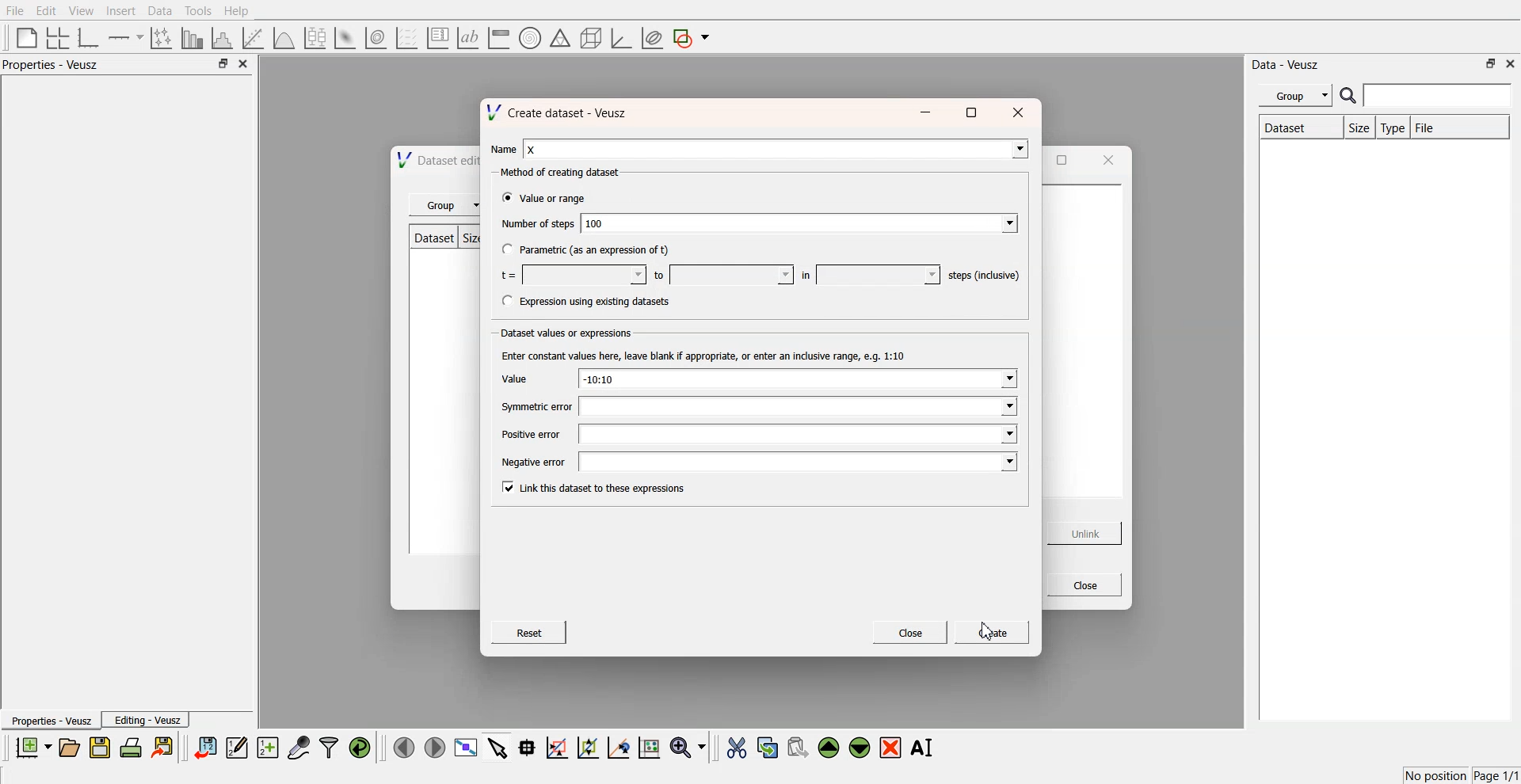 The height and width of the screenshot is (784, 1521). What do you see at coordinates (1439, 96) in the screenshot?
I see `enter search field` at bounding box center [1439, 96].